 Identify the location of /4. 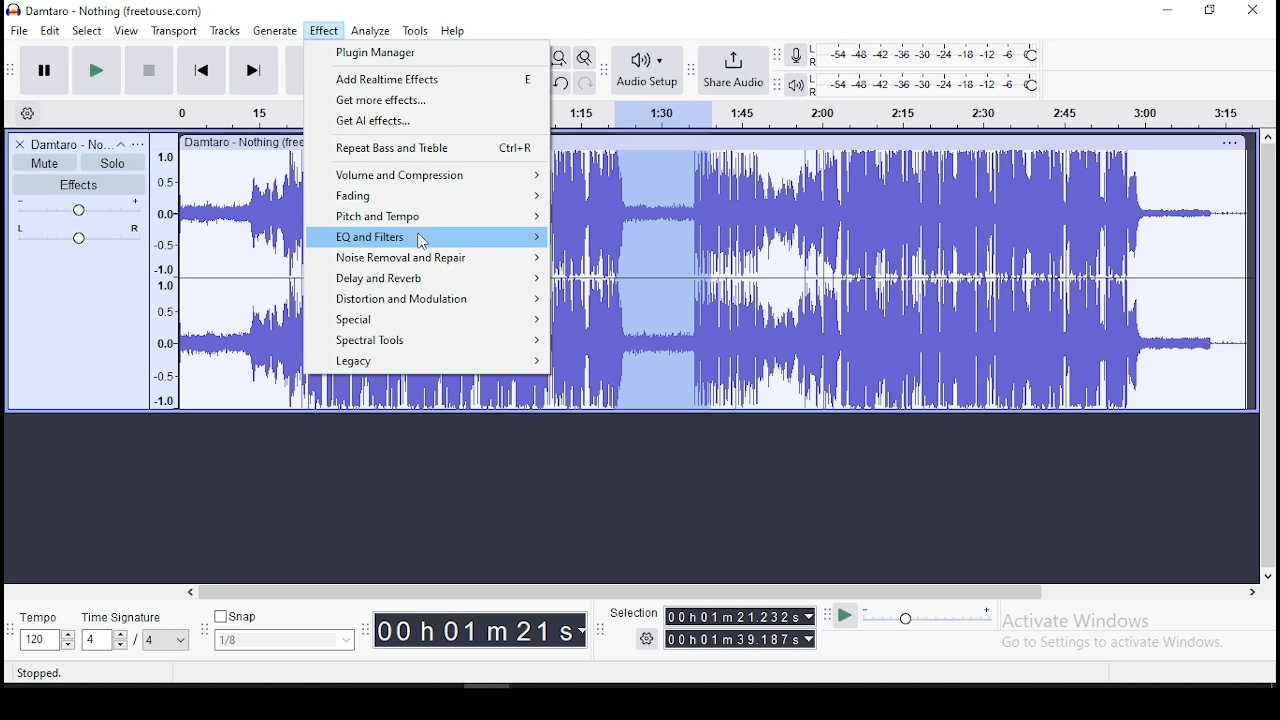
(150, 639).